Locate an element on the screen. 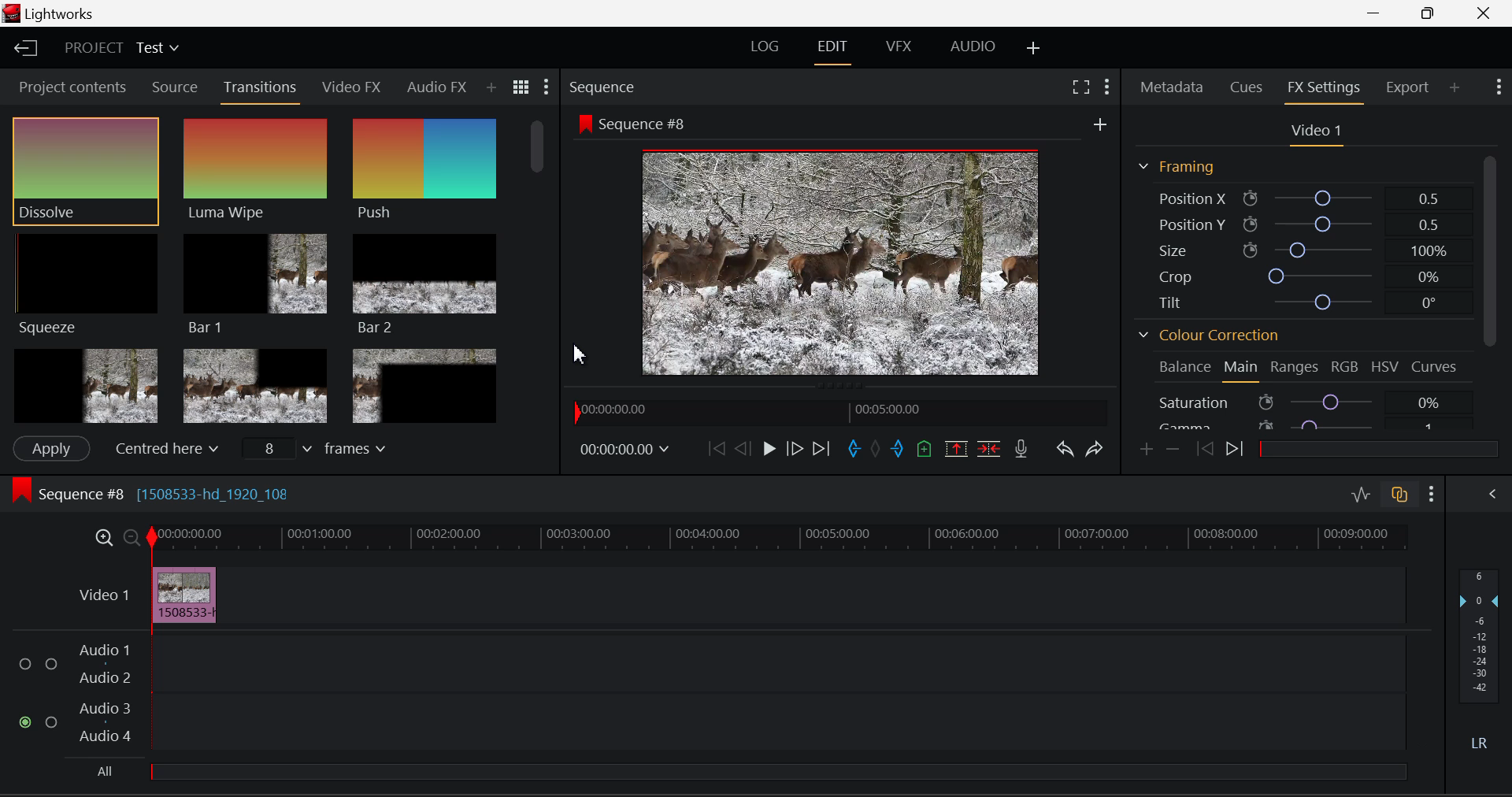 The height and width of the screenshot is (797, 1512). Remove keyframe is located at coordinates (1173, 450).